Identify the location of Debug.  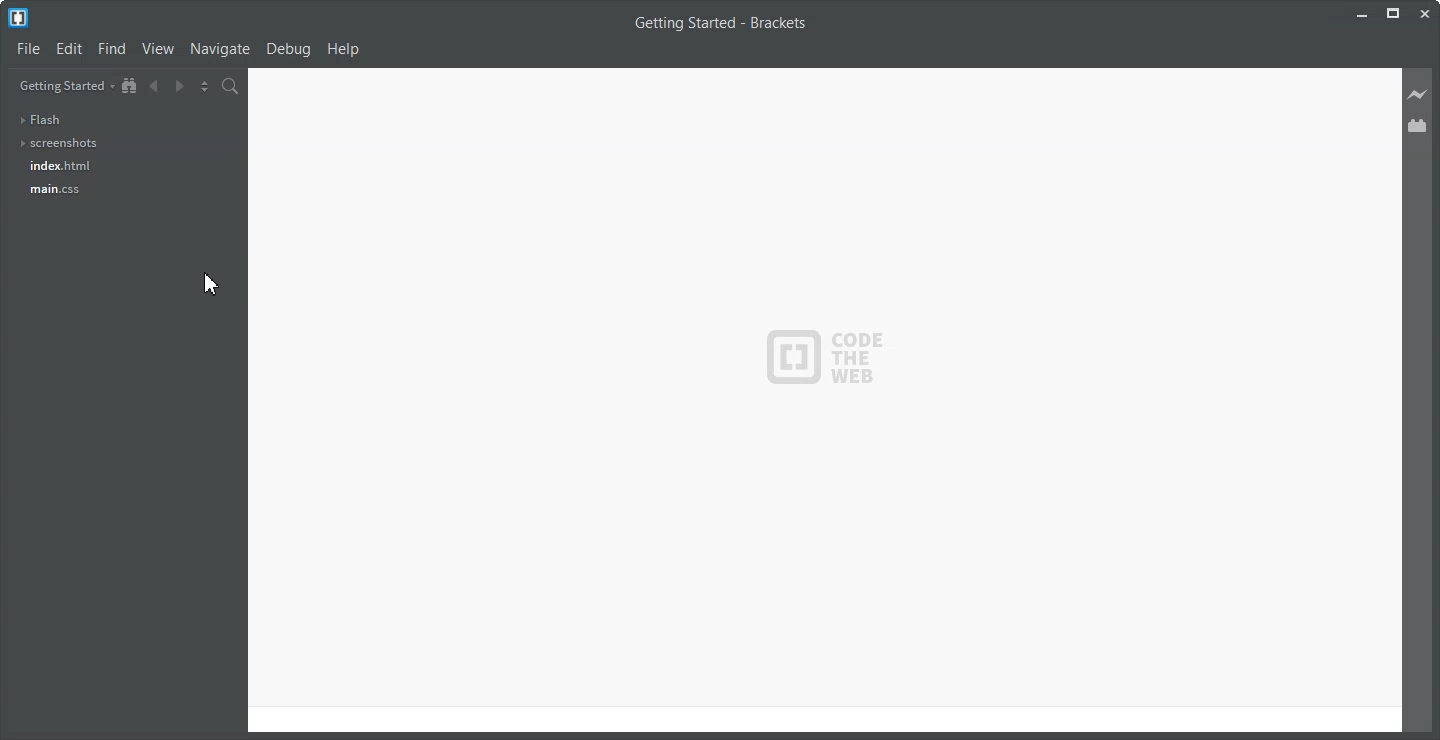
(290, 50).